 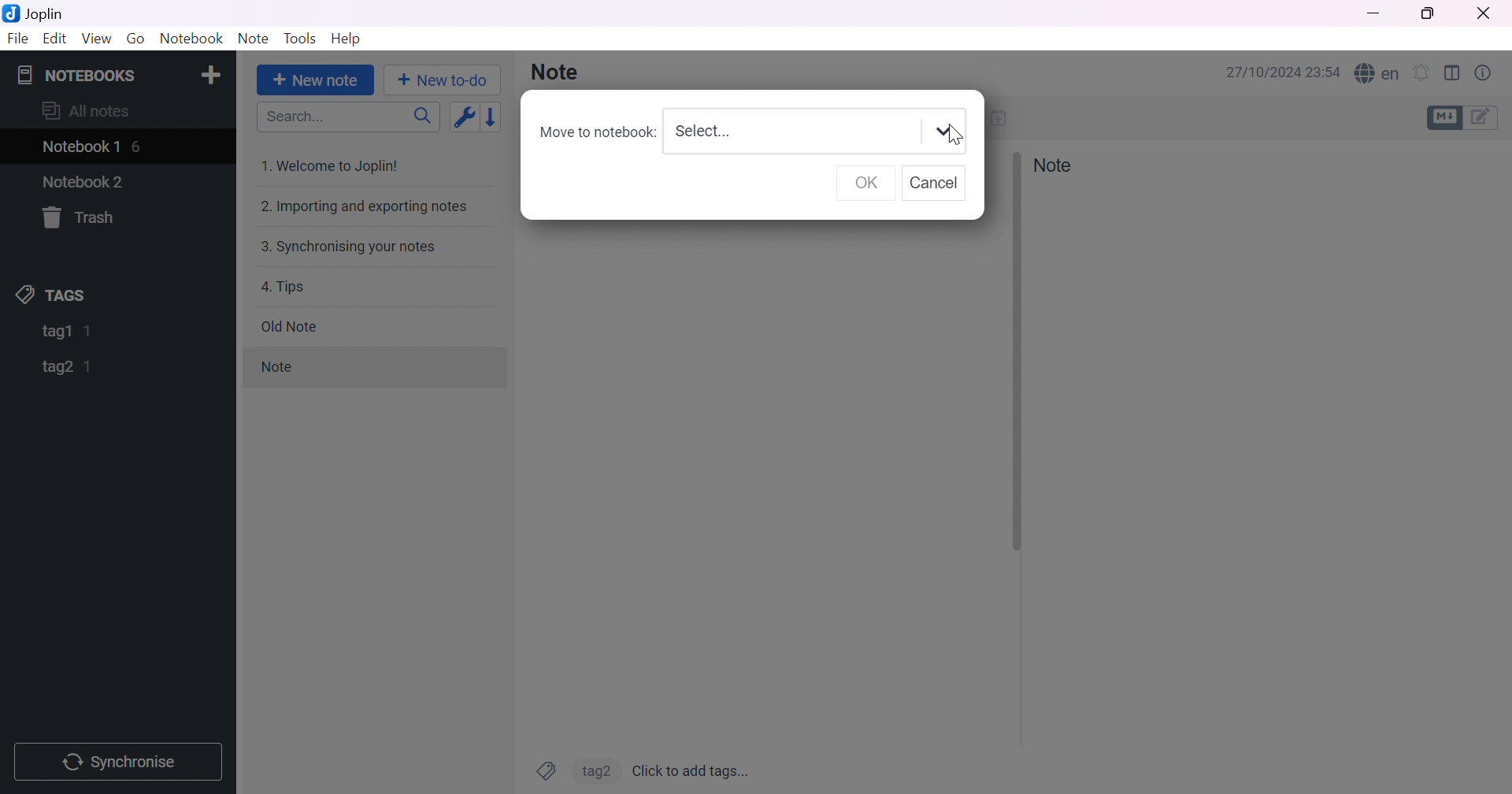 I want to click on Reverse sort order, so click(x=495, y=117).